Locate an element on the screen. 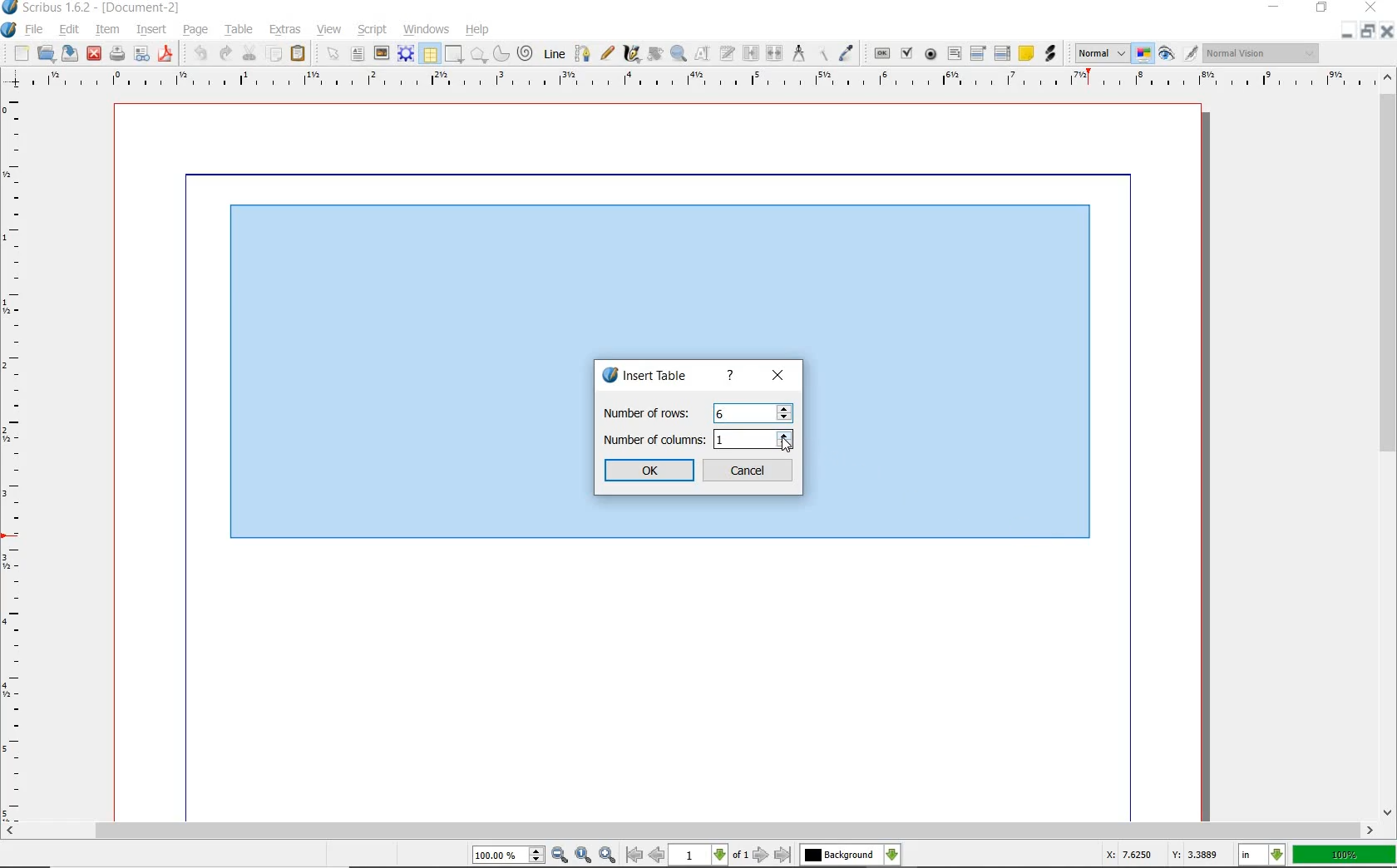  cancel is located at coordinates (749, 470).